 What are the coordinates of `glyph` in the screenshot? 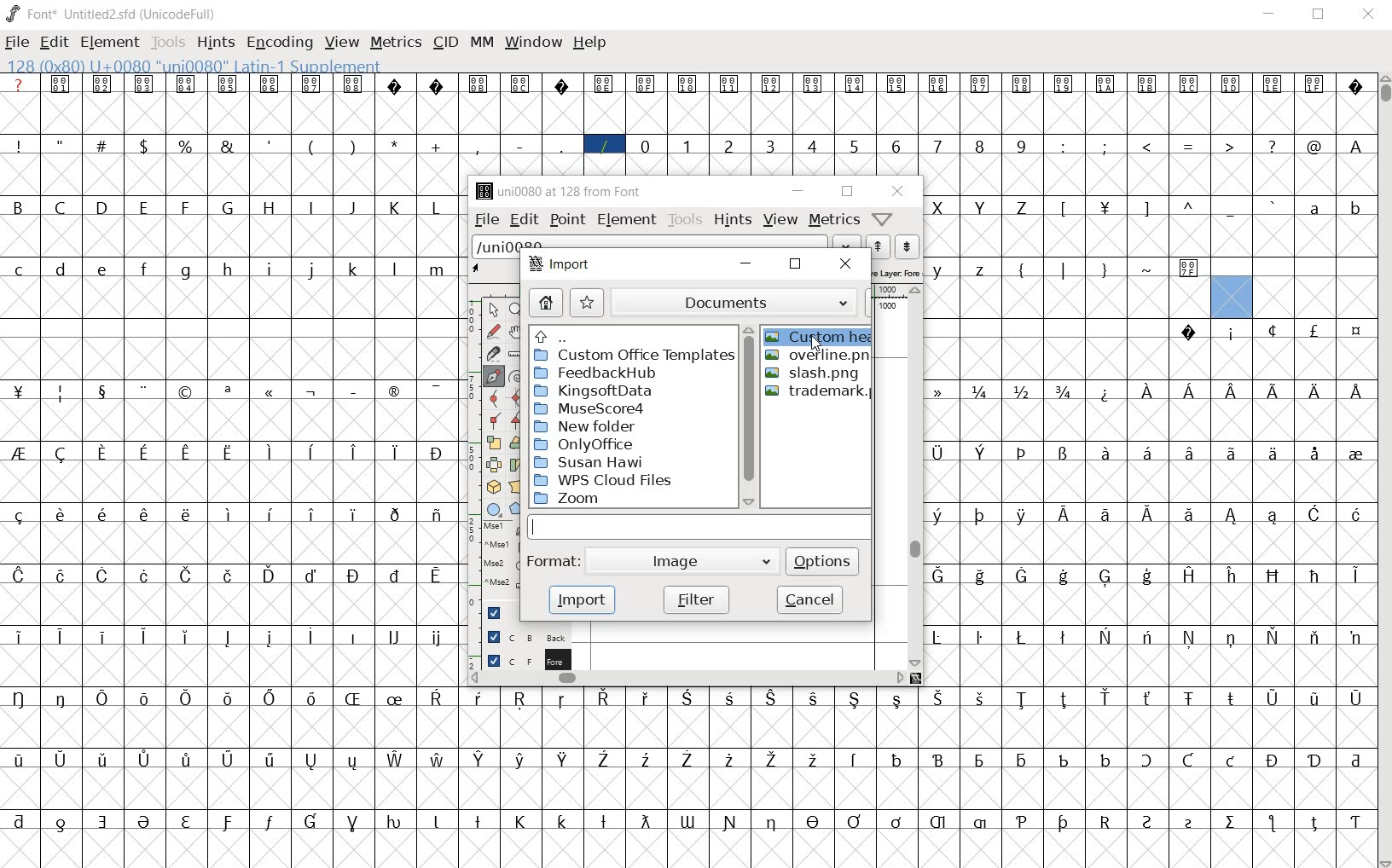 It's located at (352, 208).